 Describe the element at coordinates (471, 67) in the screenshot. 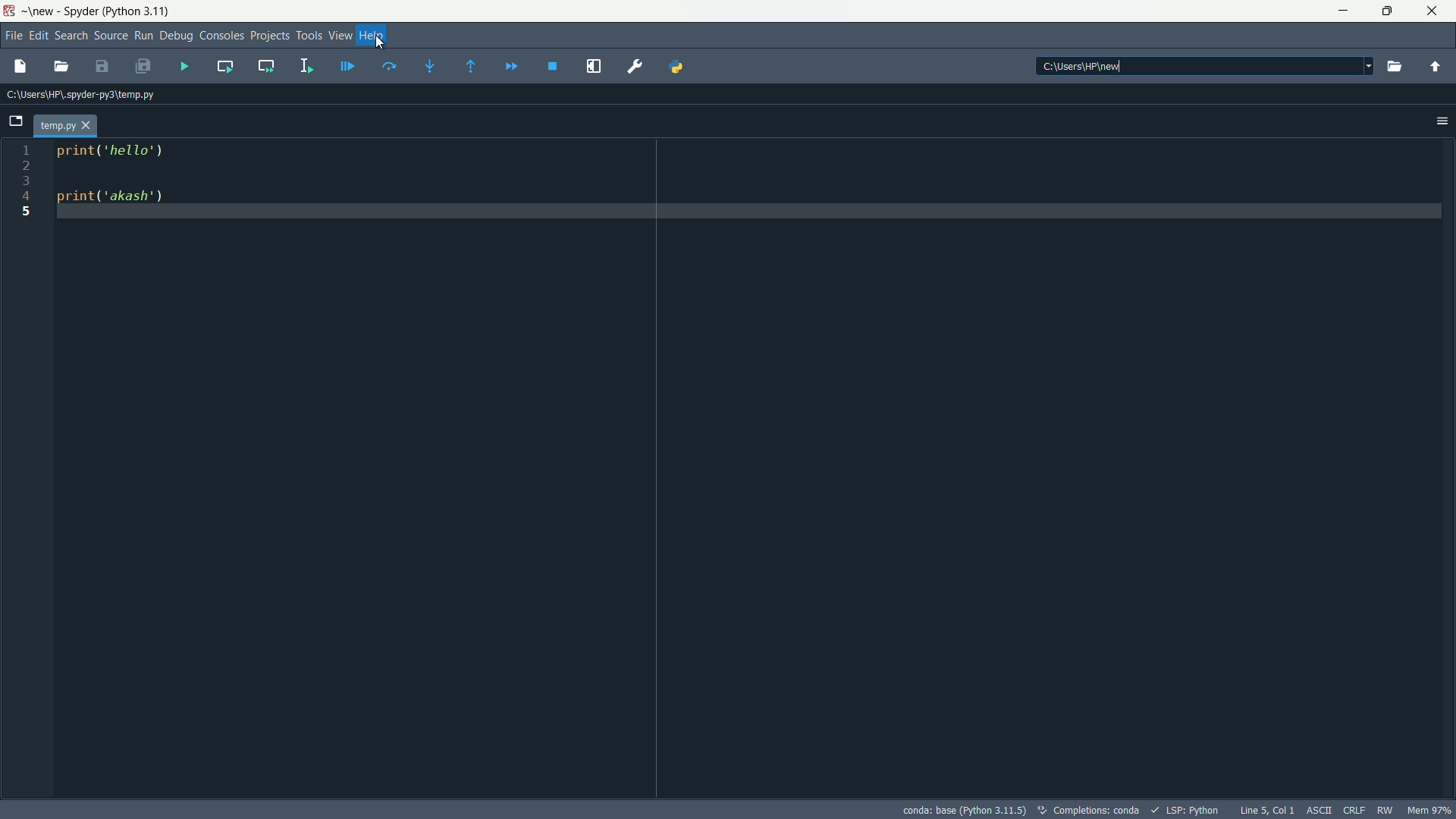

I see `execute until funtion or method returns` at that location.